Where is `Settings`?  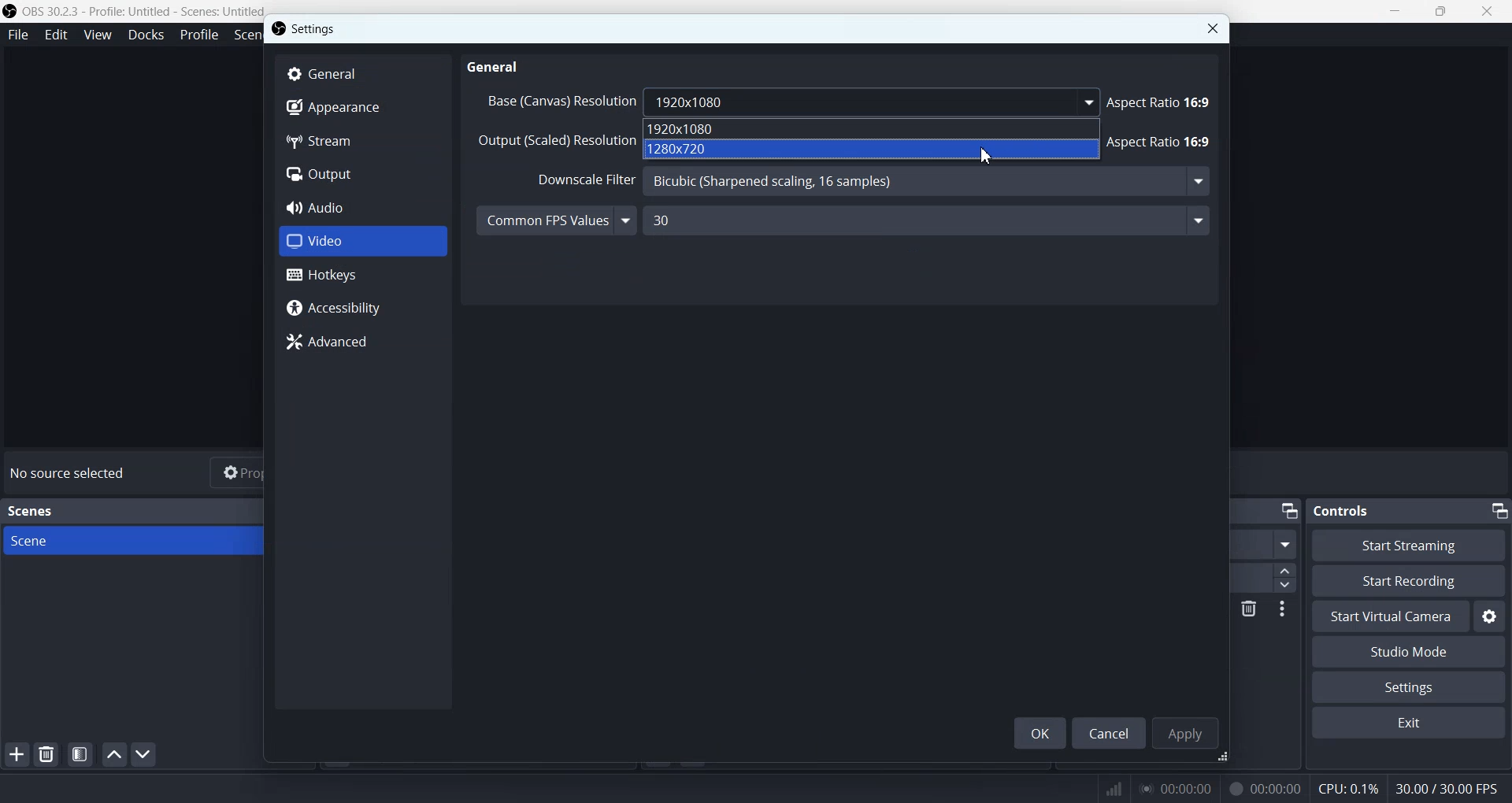 Settings is located at coordinates (1409, 687).